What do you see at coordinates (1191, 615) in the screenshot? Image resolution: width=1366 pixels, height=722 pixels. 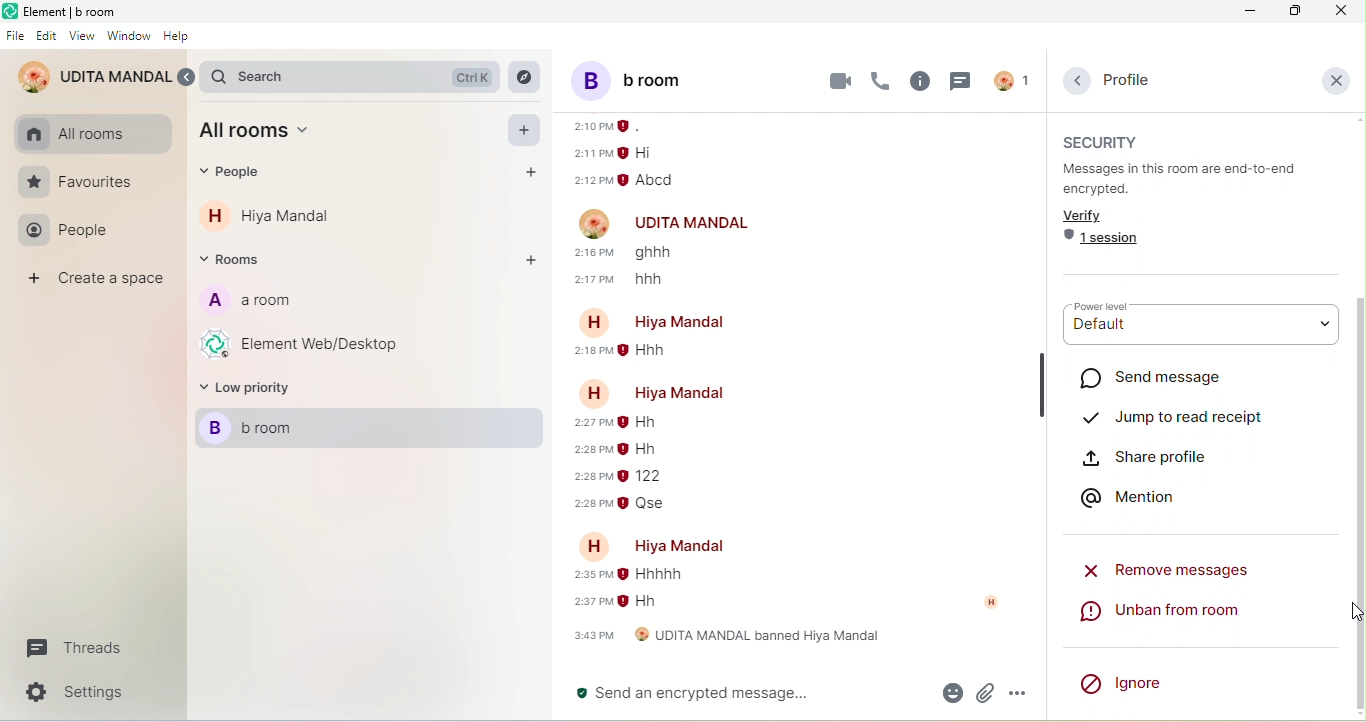 I see `unban from room` at bounding box center [1191, 615].